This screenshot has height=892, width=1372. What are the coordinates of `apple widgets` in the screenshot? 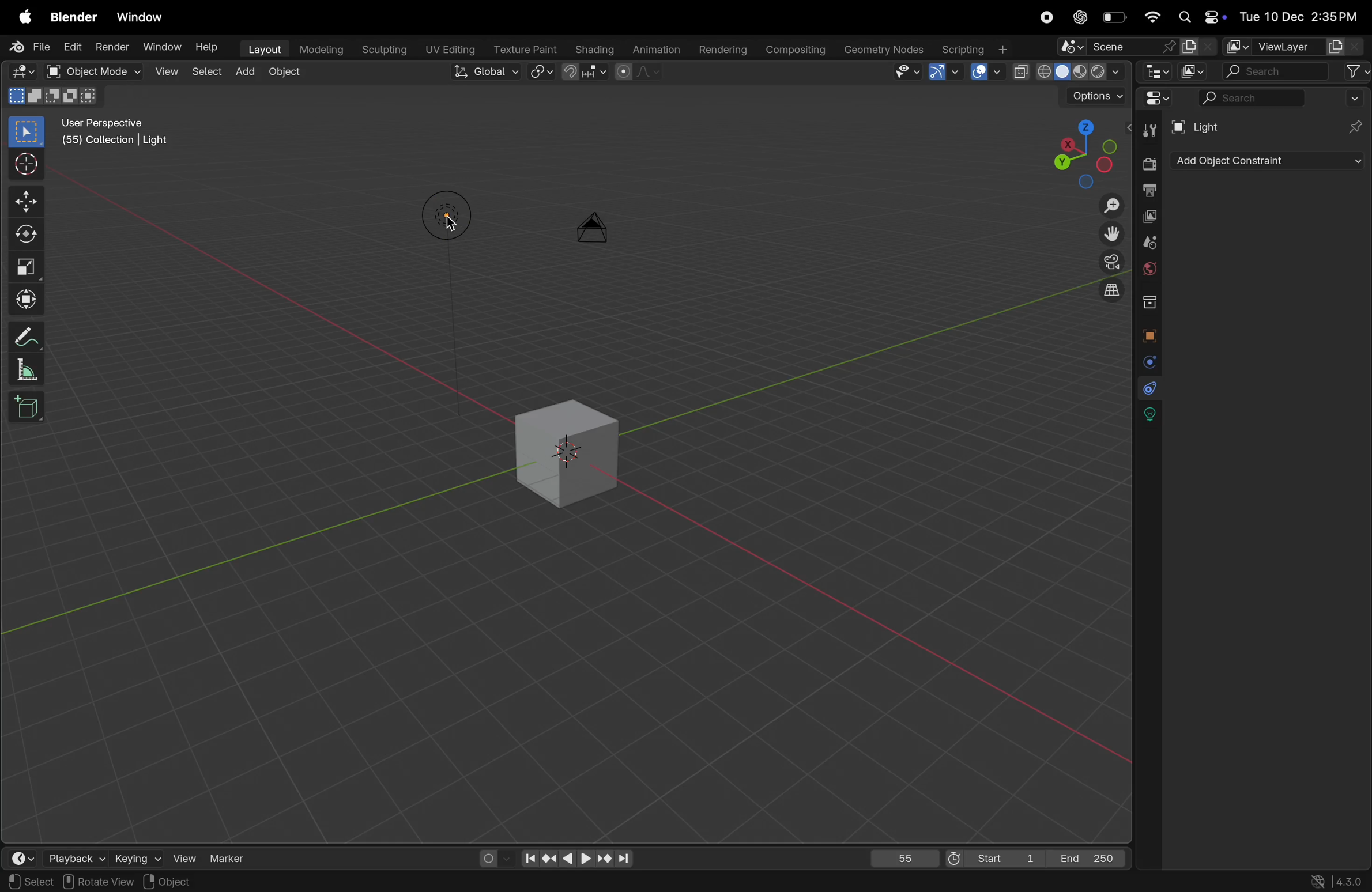 It's located at (1199, 16).